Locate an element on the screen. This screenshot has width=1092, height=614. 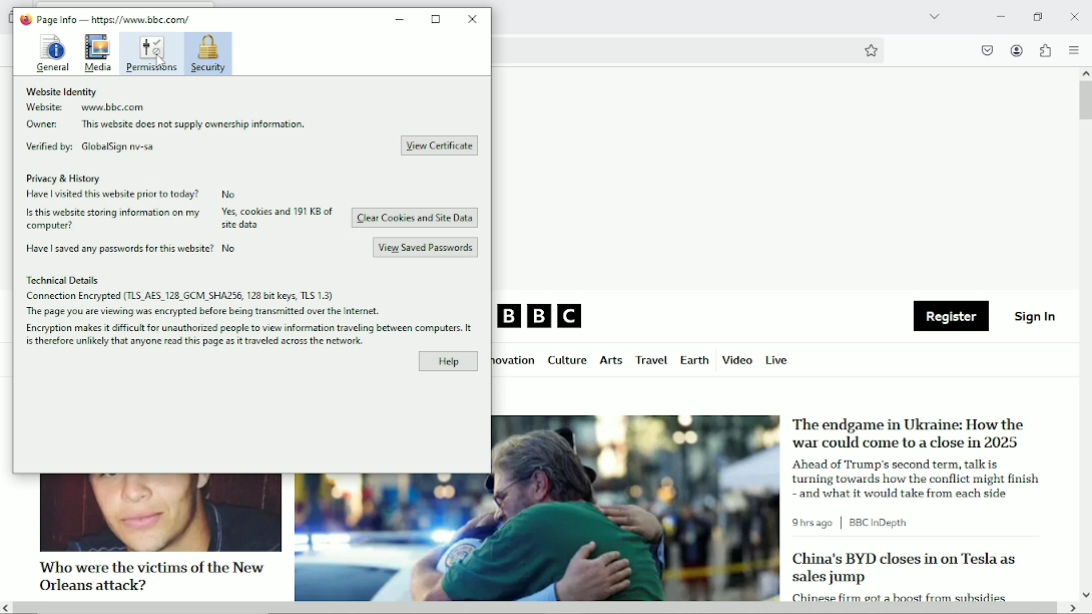
Have | saved any passwords for this website? No is located at coordinates (131, 248).